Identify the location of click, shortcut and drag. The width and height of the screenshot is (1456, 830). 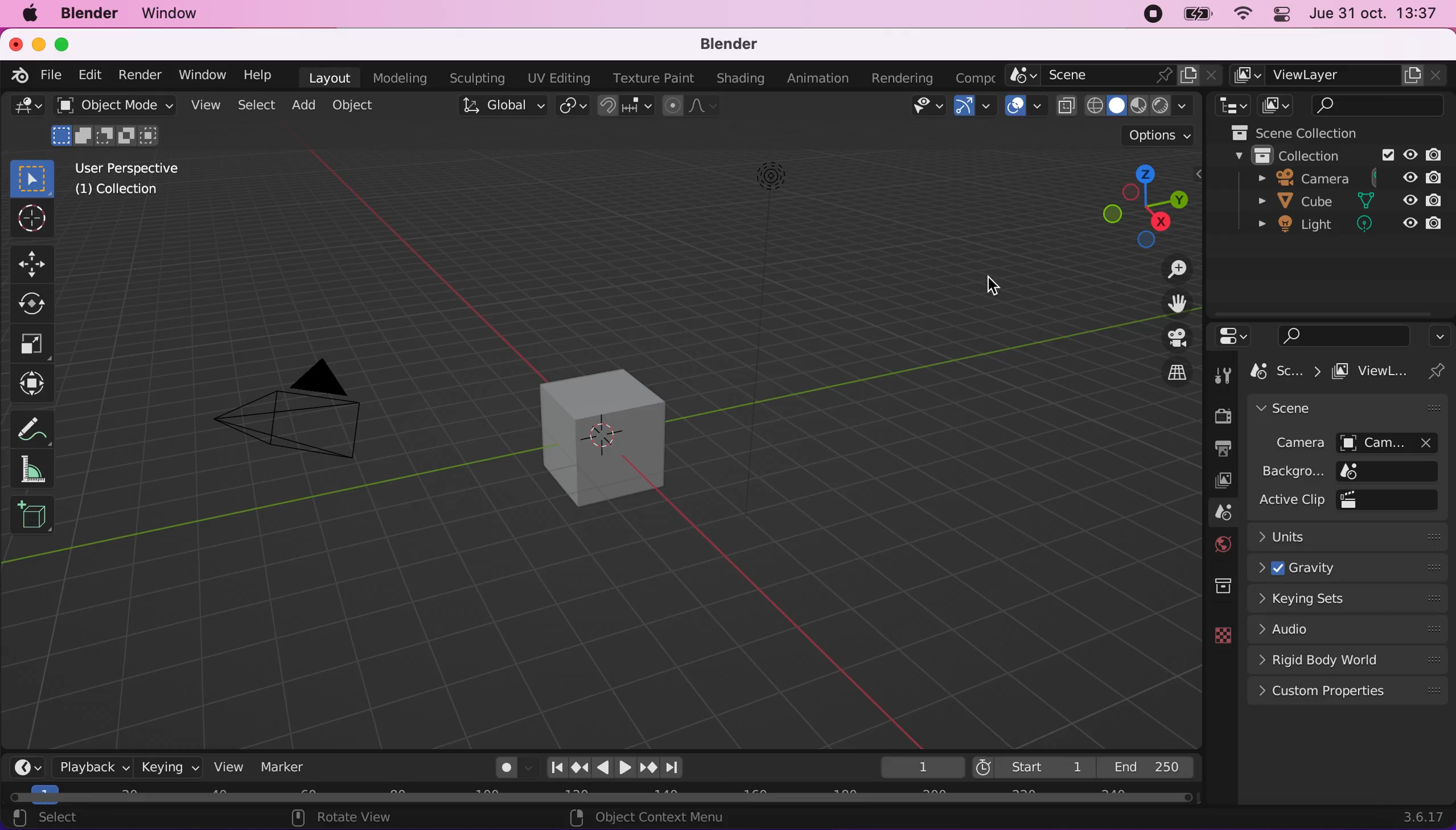
(1132, 206).